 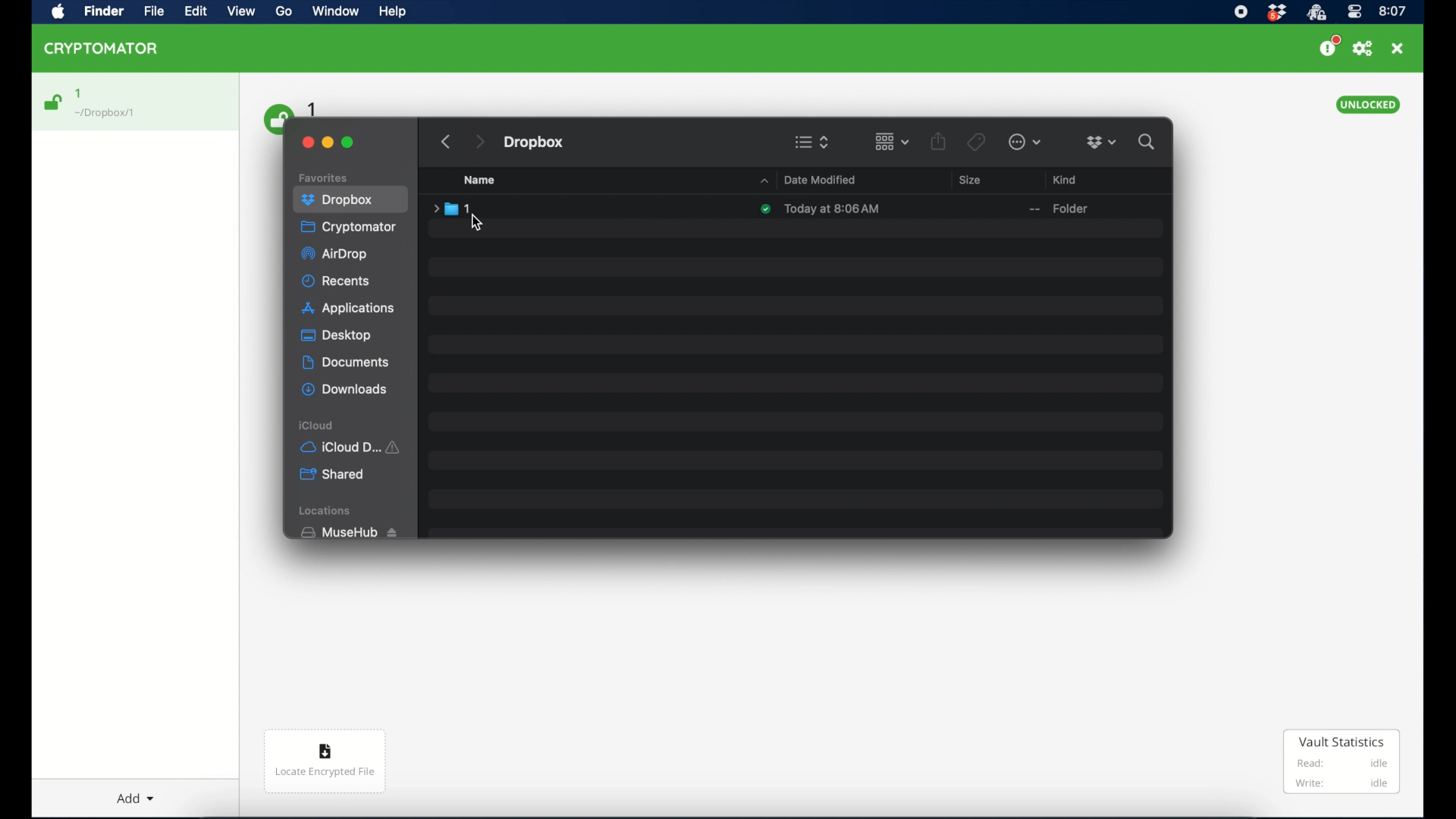 What do you see at coordinates (1065, 178) in the screenshot?
I see `kind` at bounding box center [1065, 178].